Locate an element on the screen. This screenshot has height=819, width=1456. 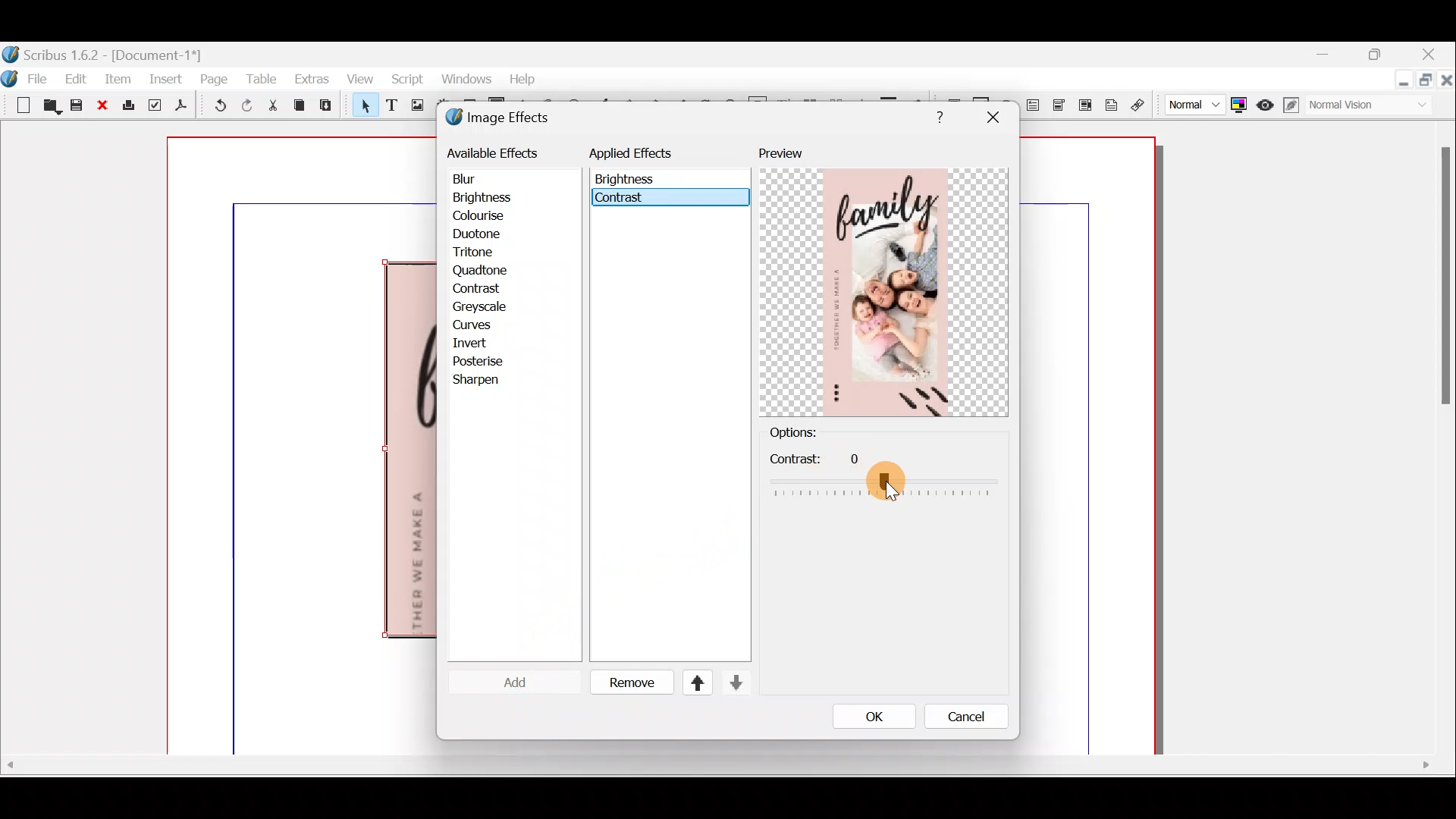
Toggle colour management system is located at coordinates (1239, 102).